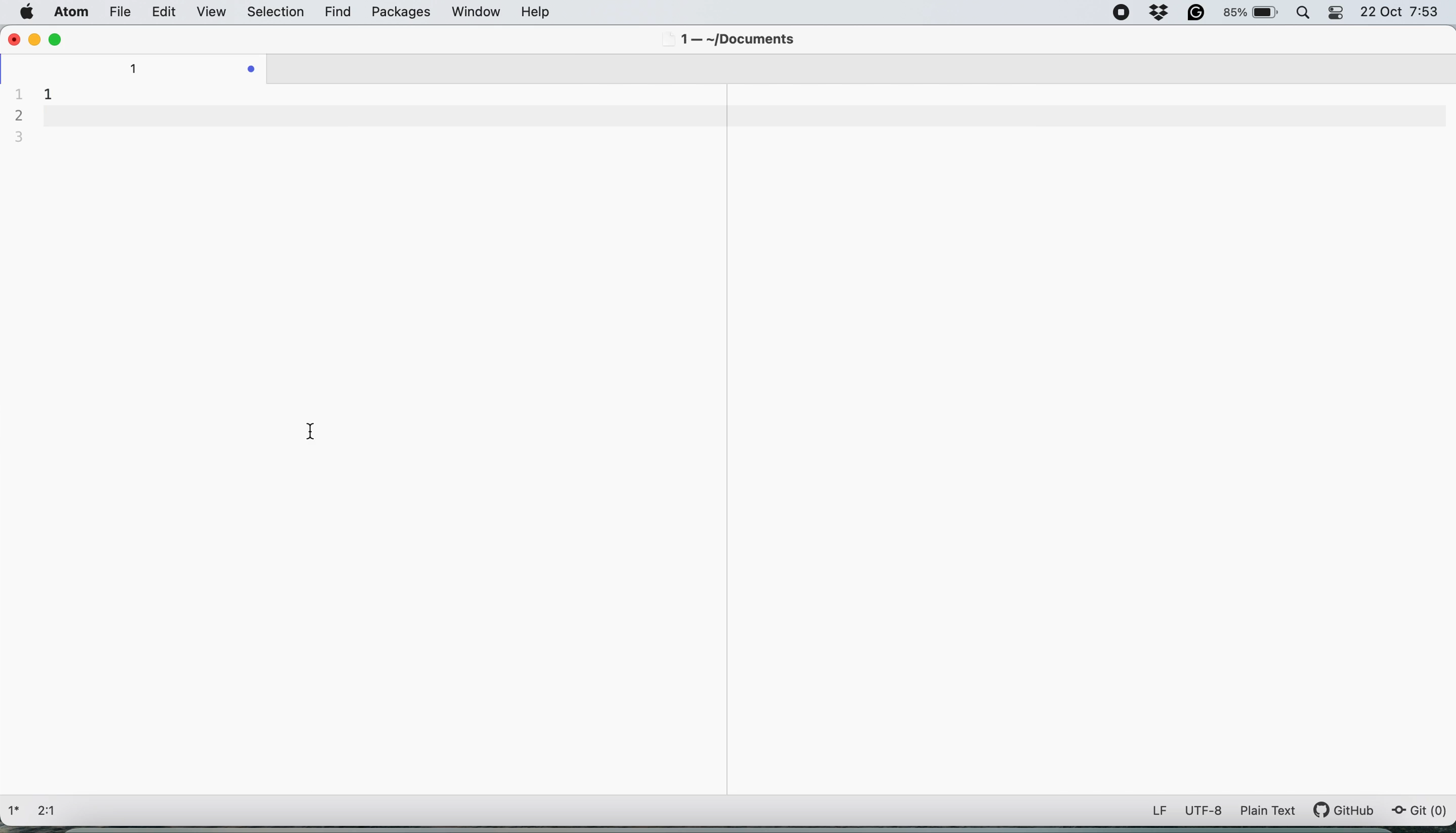 The height and width of the screenshot is (833, 1456). What do you see at coordinates (140, 68) in the screenshot?
I see `document name` at bounding box center [140, 68].